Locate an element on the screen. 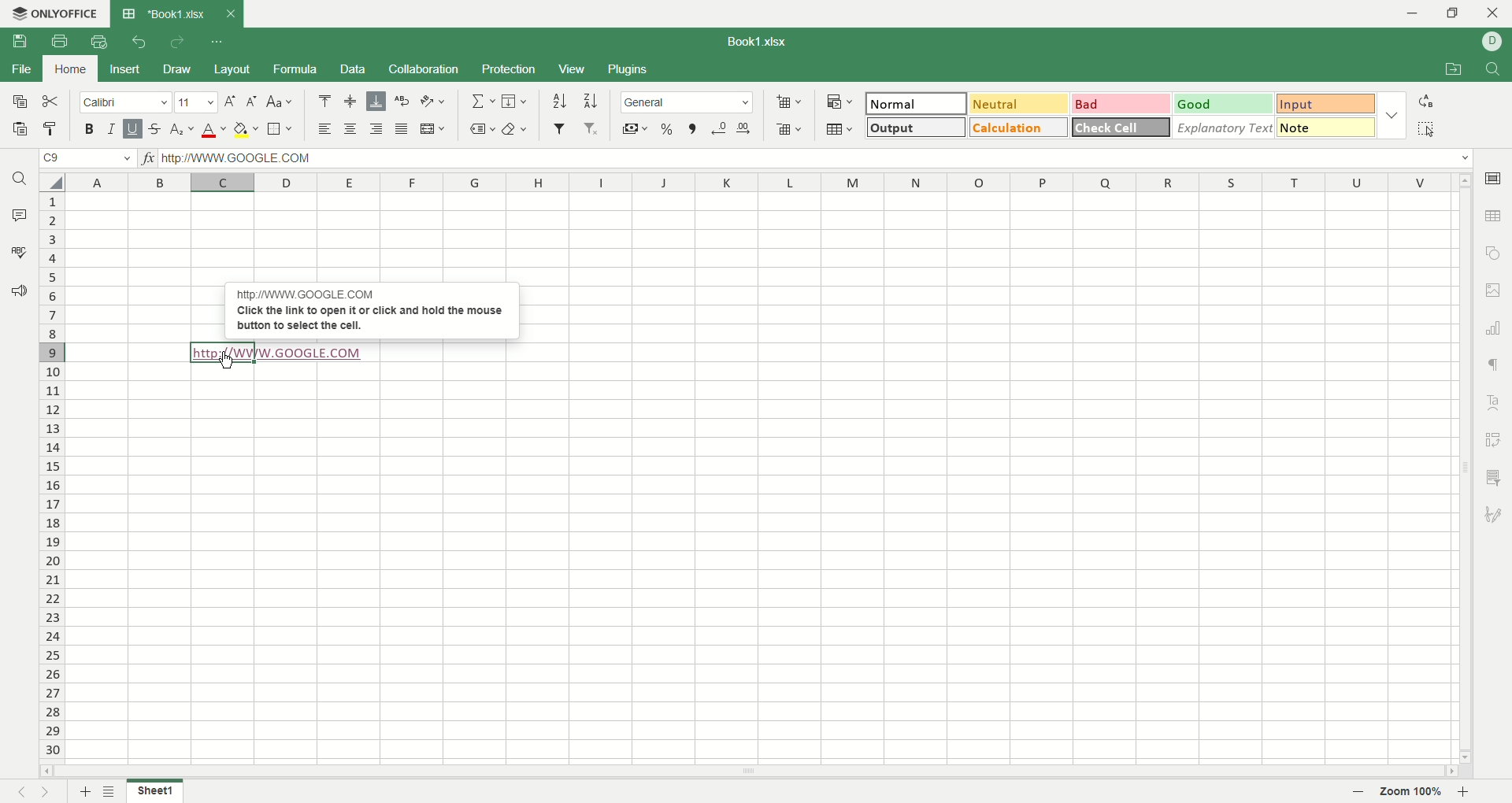  change case is located at coordinates (280, 103).